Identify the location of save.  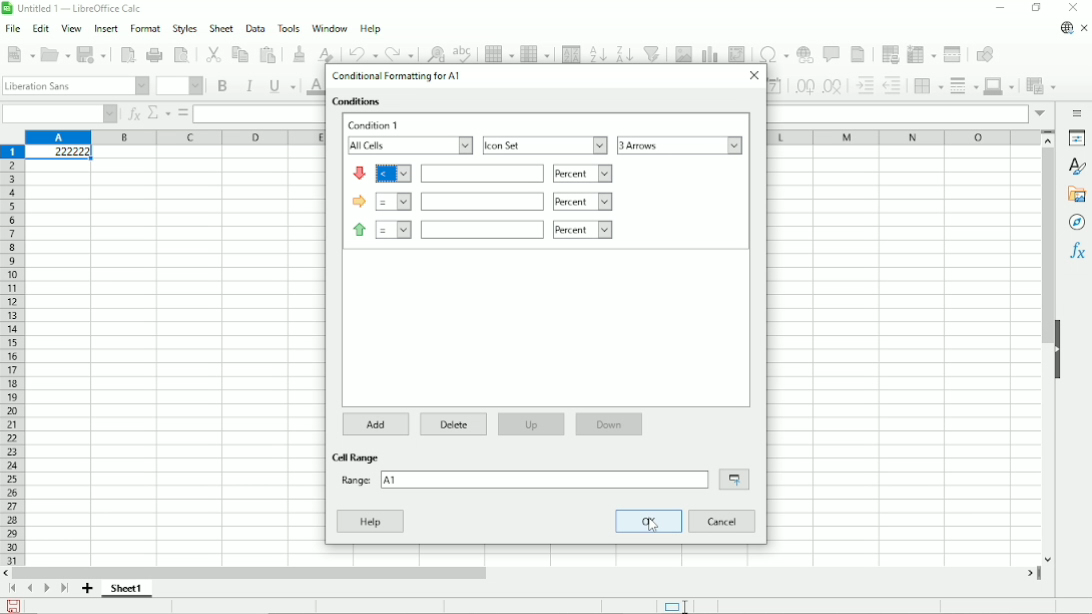
(13, 605).